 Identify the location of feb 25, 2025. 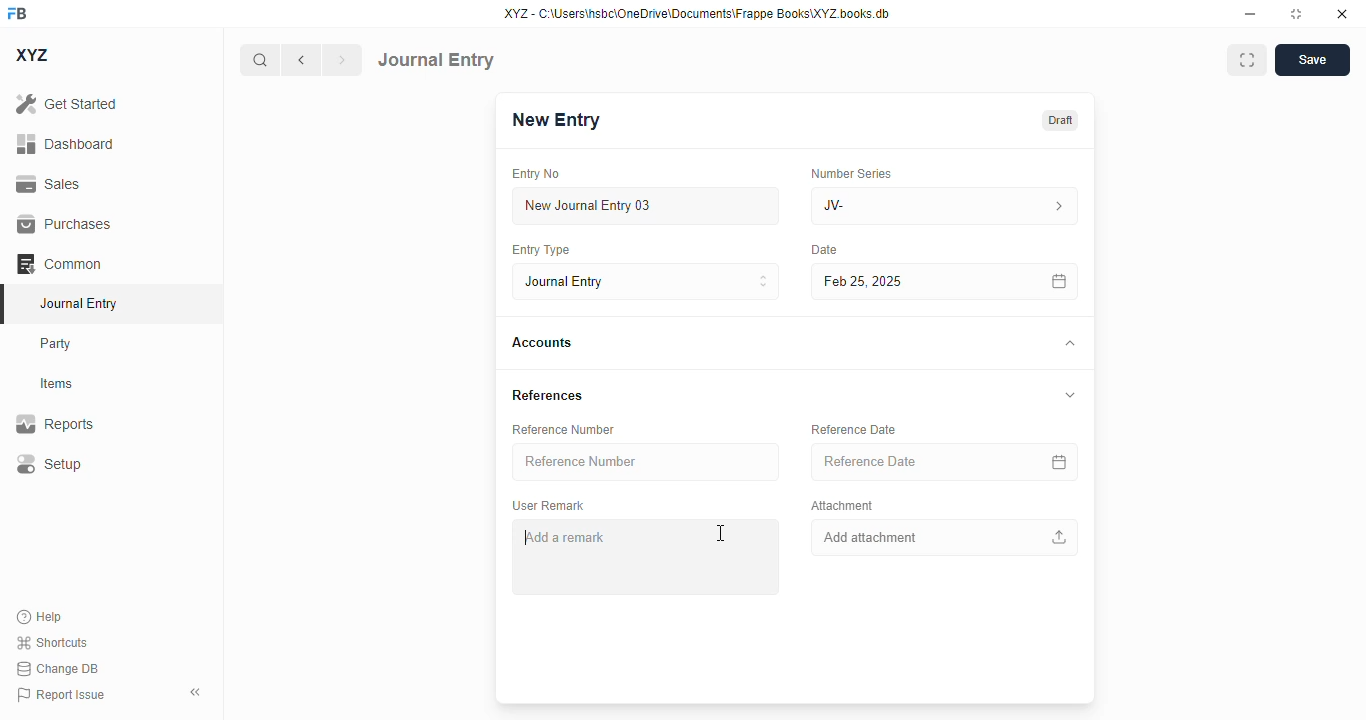
(916, 281).